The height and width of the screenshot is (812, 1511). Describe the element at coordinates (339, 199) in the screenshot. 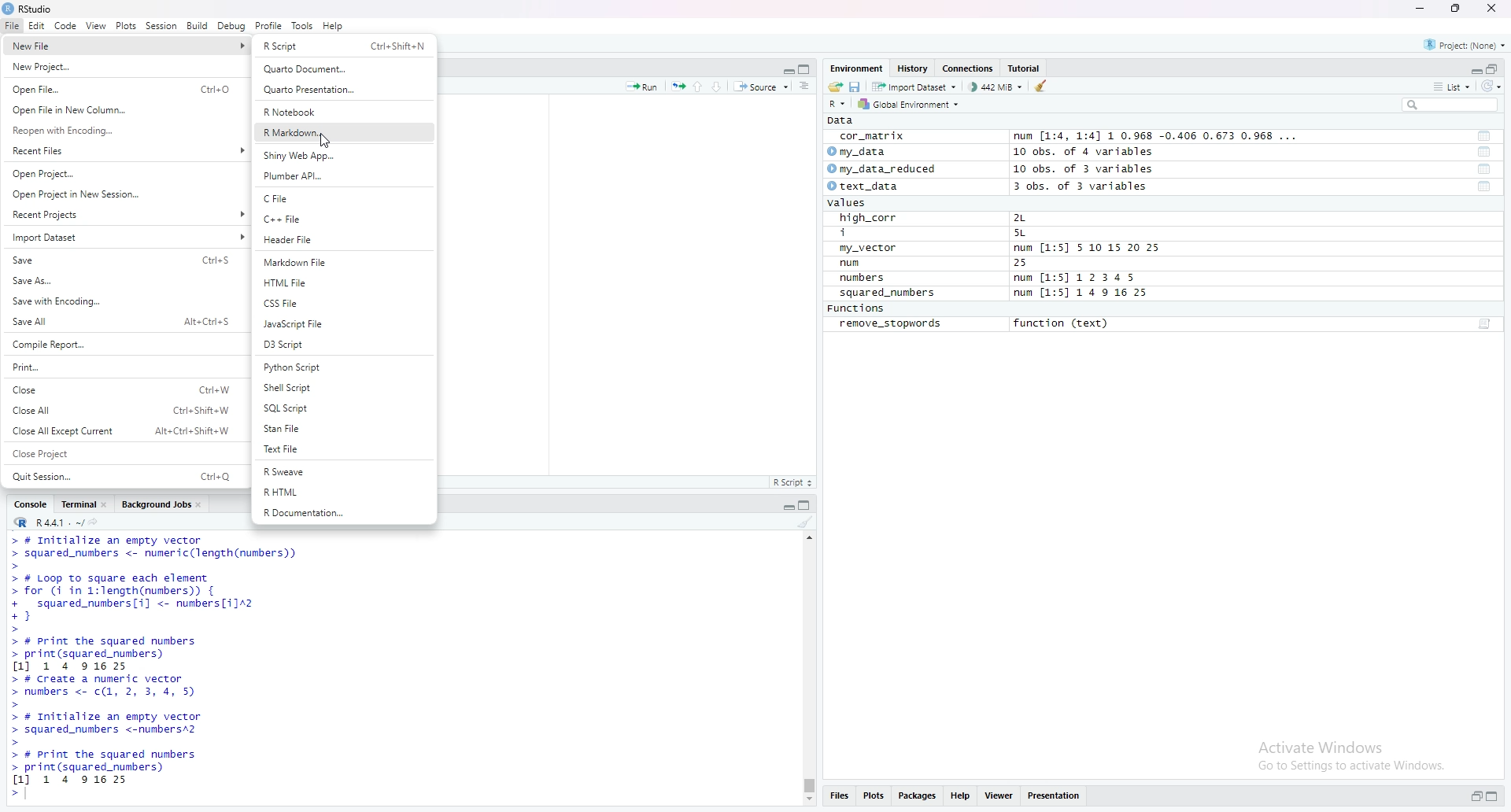

I see `C File` at that location.